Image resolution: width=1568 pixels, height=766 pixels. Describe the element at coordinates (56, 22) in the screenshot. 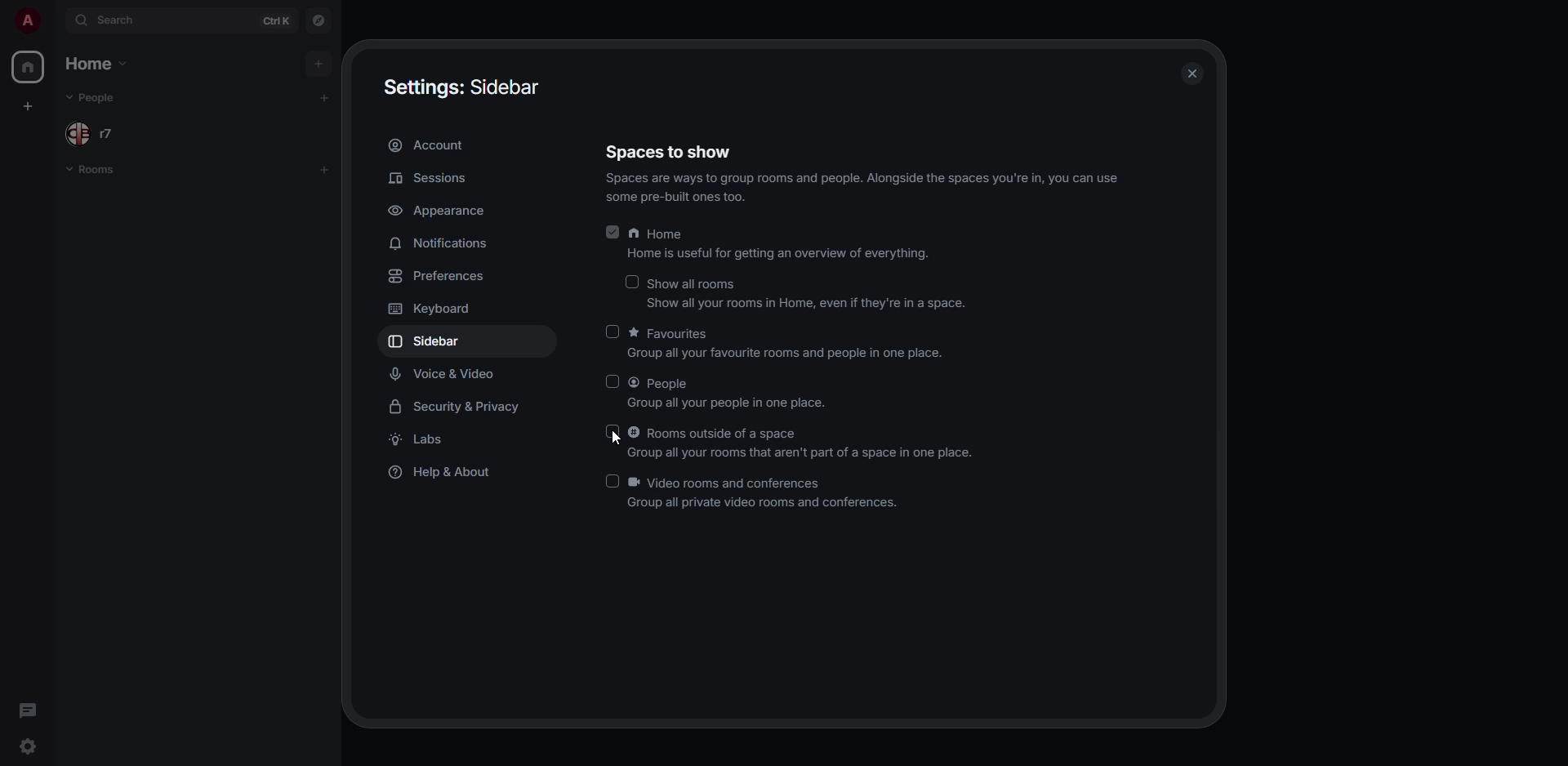

I see `expand` at that location.